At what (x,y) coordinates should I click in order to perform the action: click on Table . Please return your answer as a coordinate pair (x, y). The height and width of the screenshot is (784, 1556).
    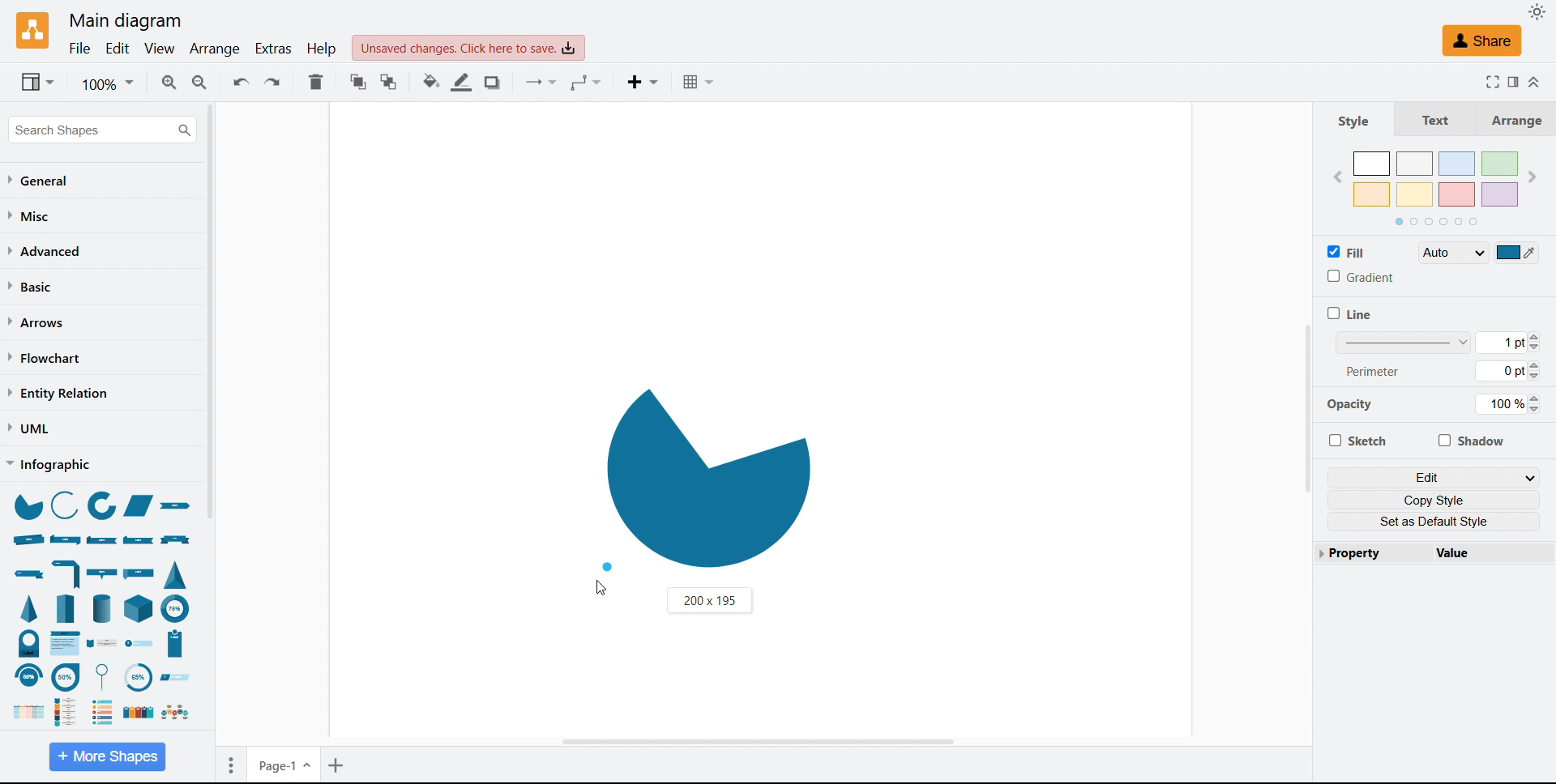
    Looking at the image, I should click on (702, 82).